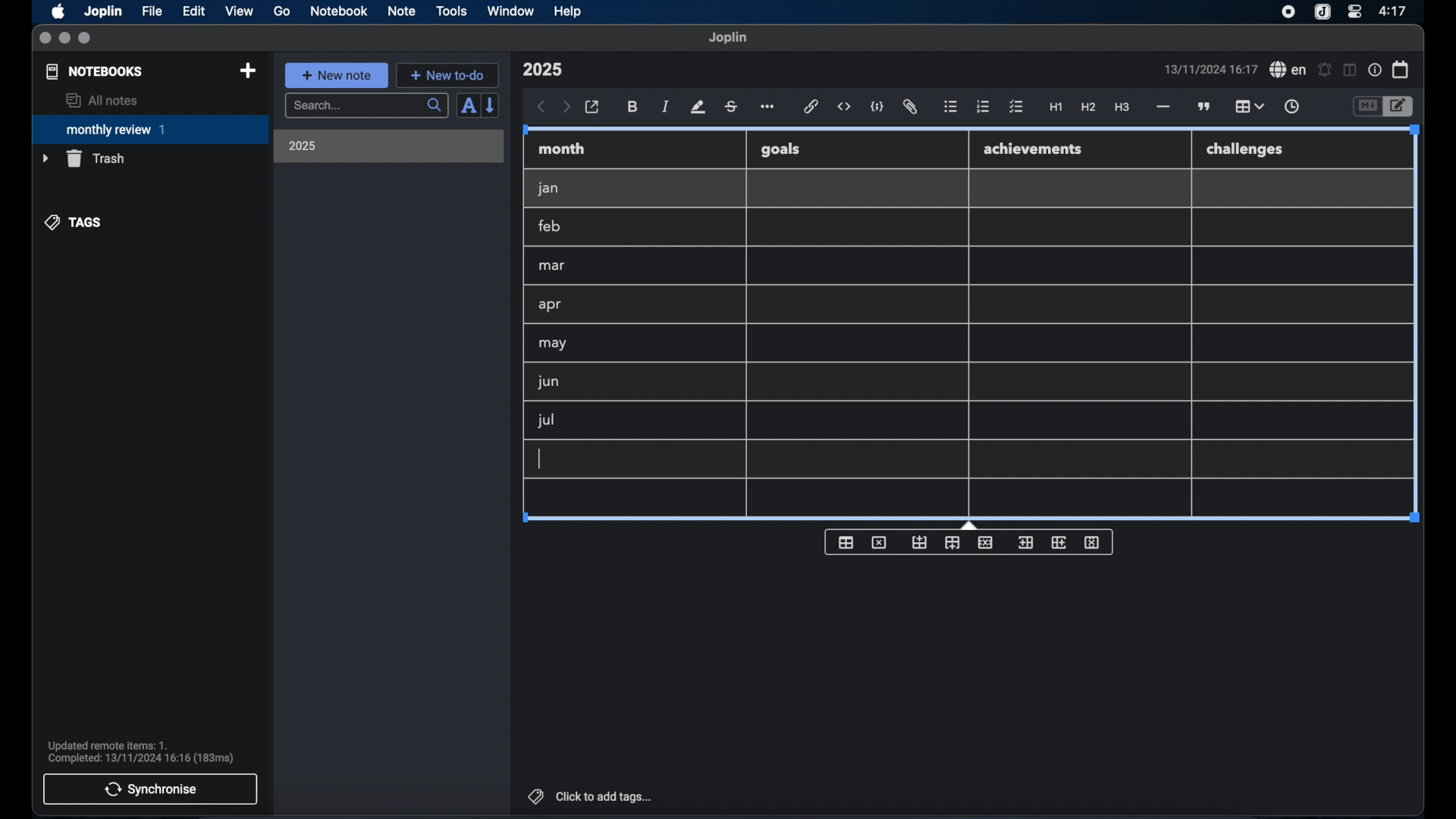 This screenshot has width=1456, height=819. What do you see at coordinates (548, 189) in the screenshot?
I see `jan` at bounding box center [548, 189].